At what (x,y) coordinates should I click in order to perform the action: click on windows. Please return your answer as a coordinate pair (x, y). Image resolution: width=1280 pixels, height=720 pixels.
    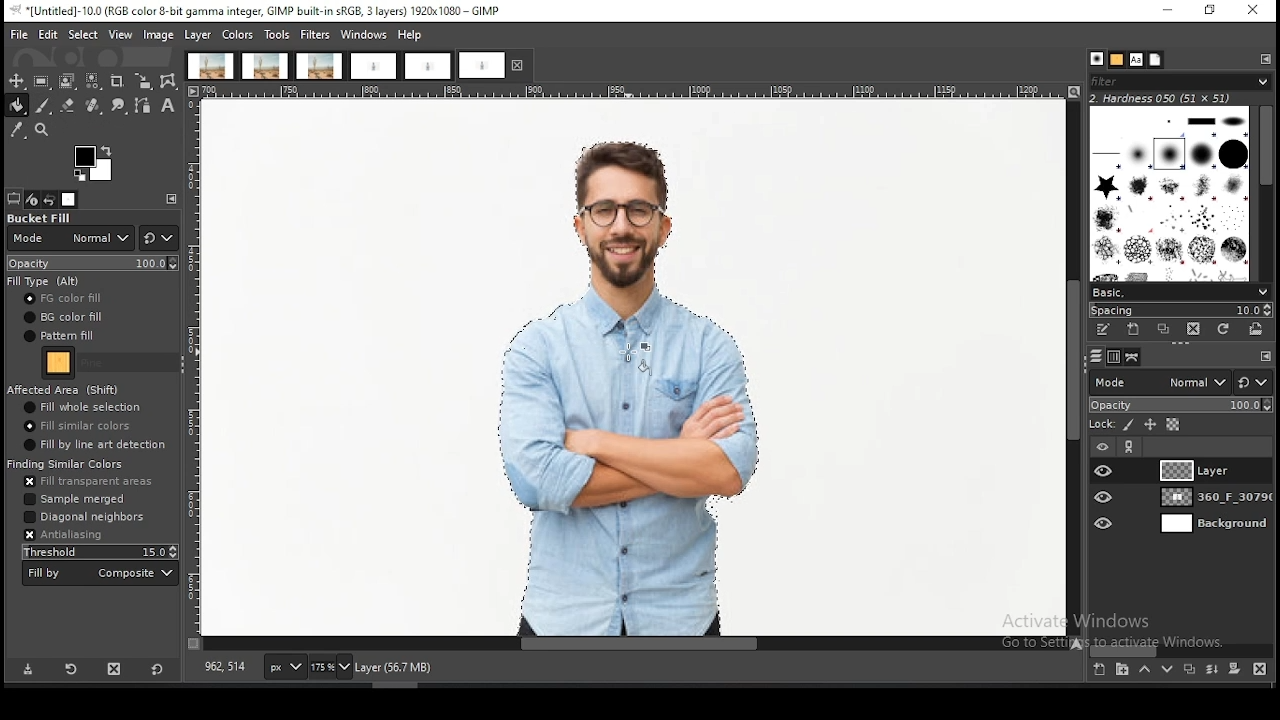
    Looking at the image, I should click on (364, 35).